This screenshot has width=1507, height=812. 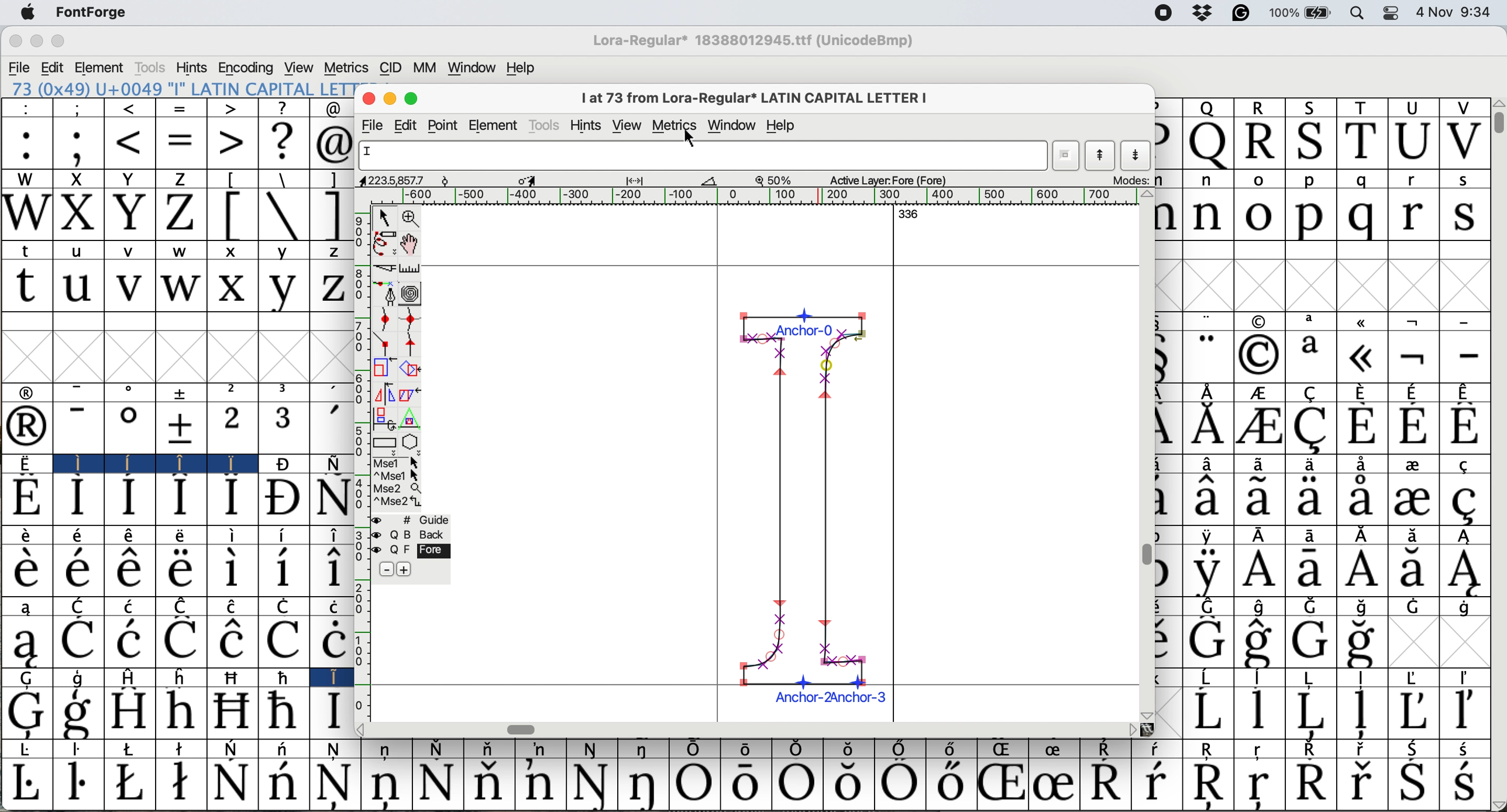 I want to click on zoom scale, so click(x=777, y=181).